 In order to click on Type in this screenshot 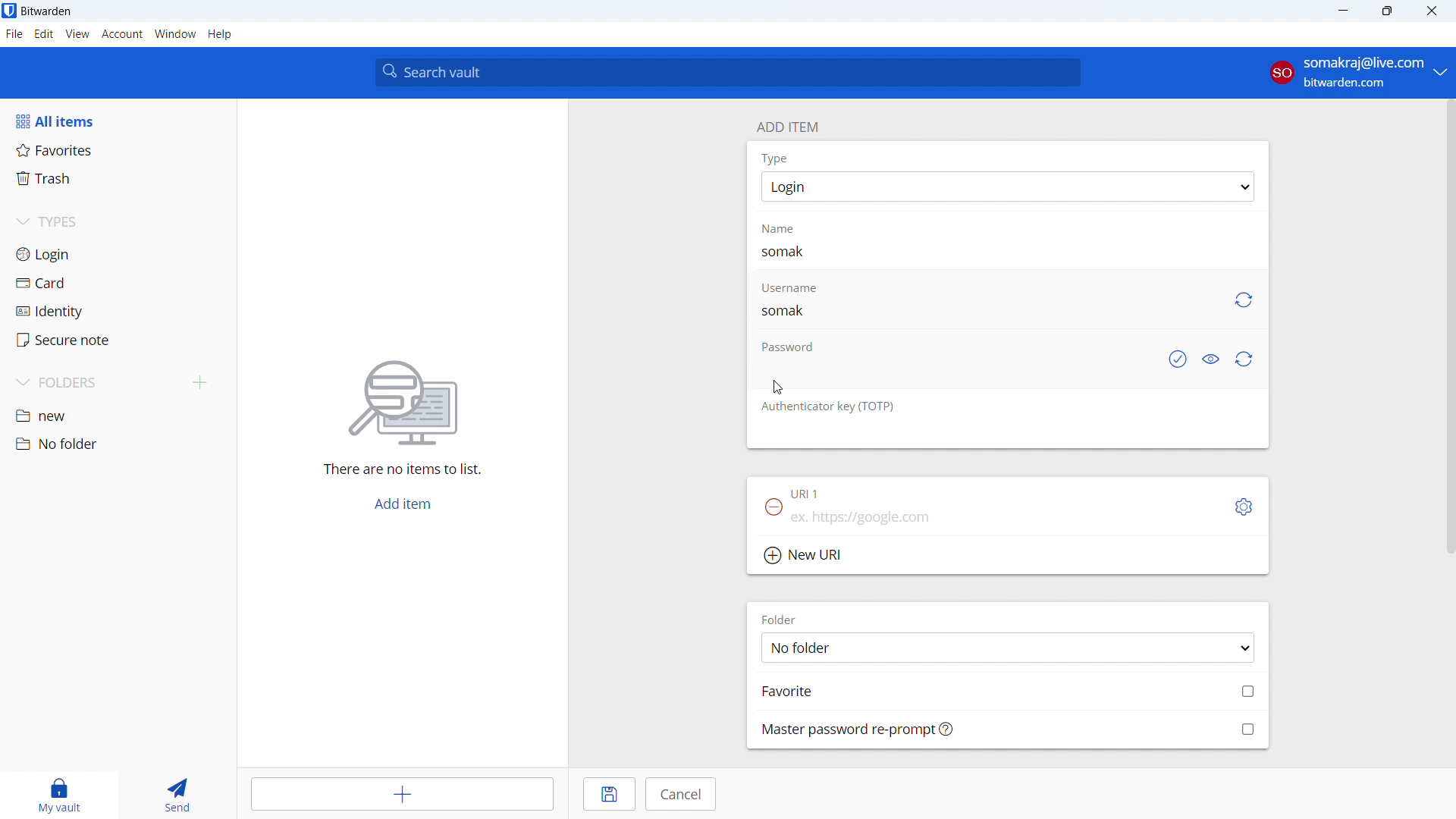, I will do `click(774, 158)`.